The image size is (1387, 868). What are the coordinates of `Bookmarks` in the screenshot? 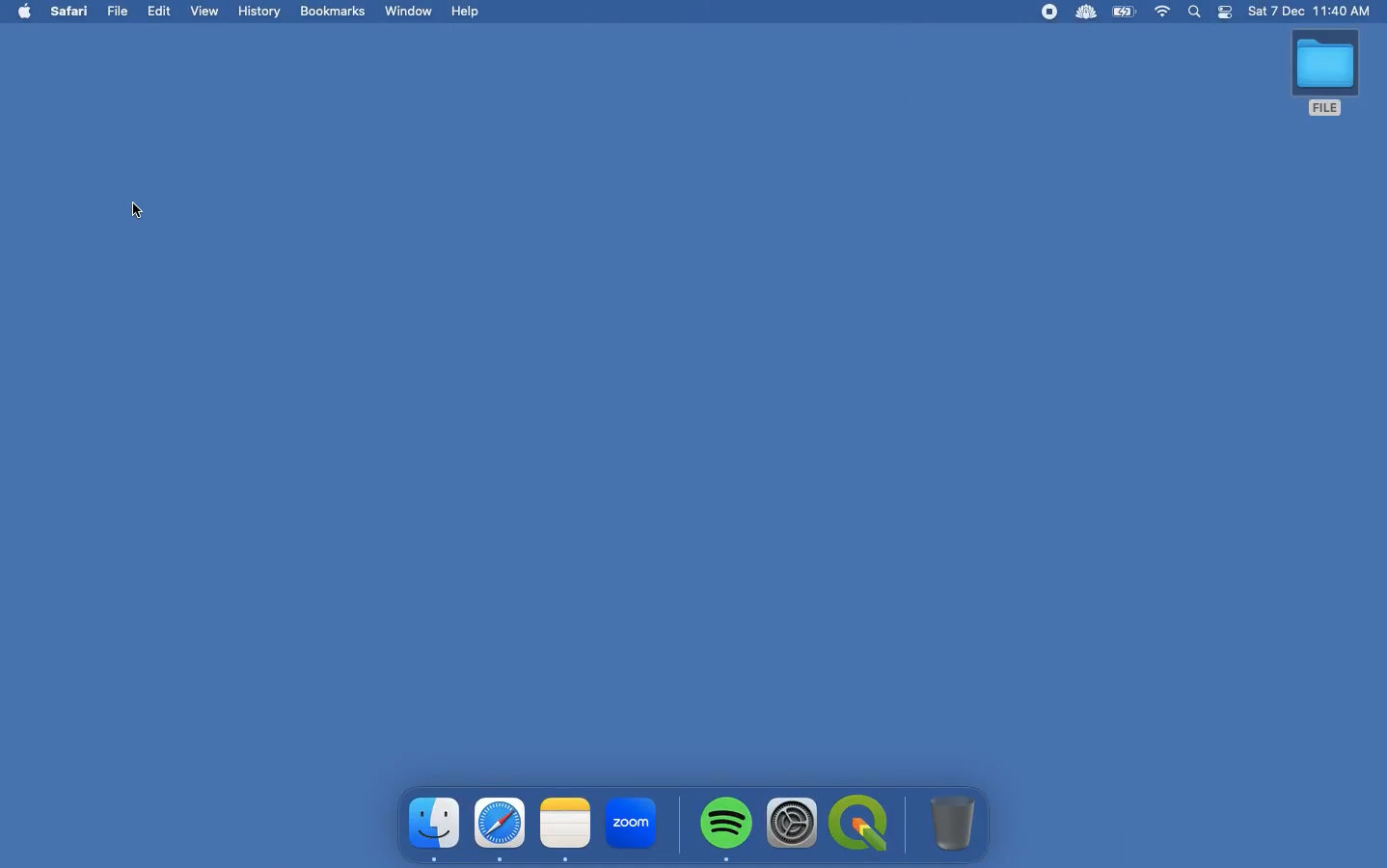 It's located at (339, 13).